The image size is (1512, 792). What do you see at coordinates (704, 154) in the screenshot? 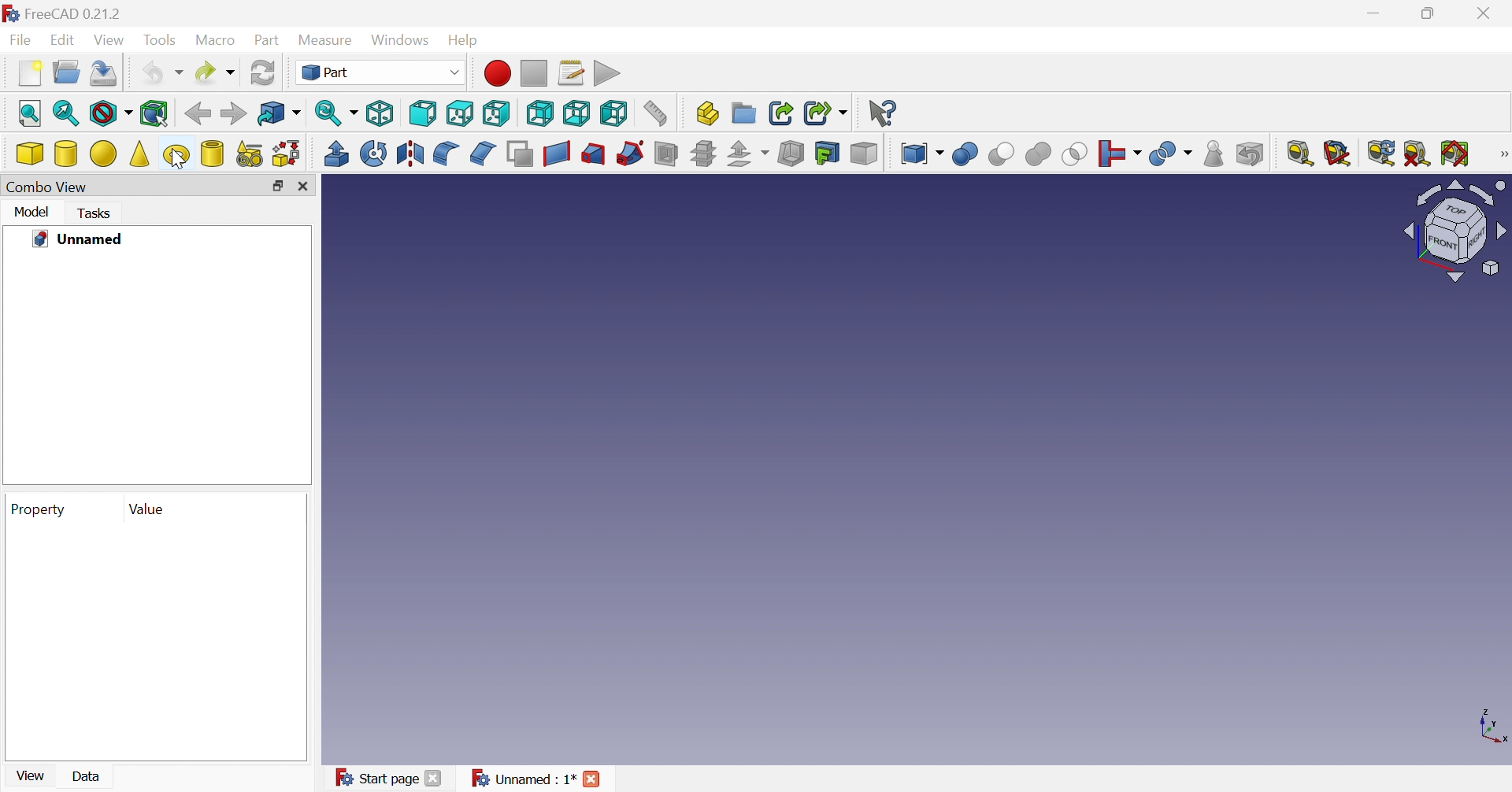
I see `Cross-section` at bounding box center [704, 154].